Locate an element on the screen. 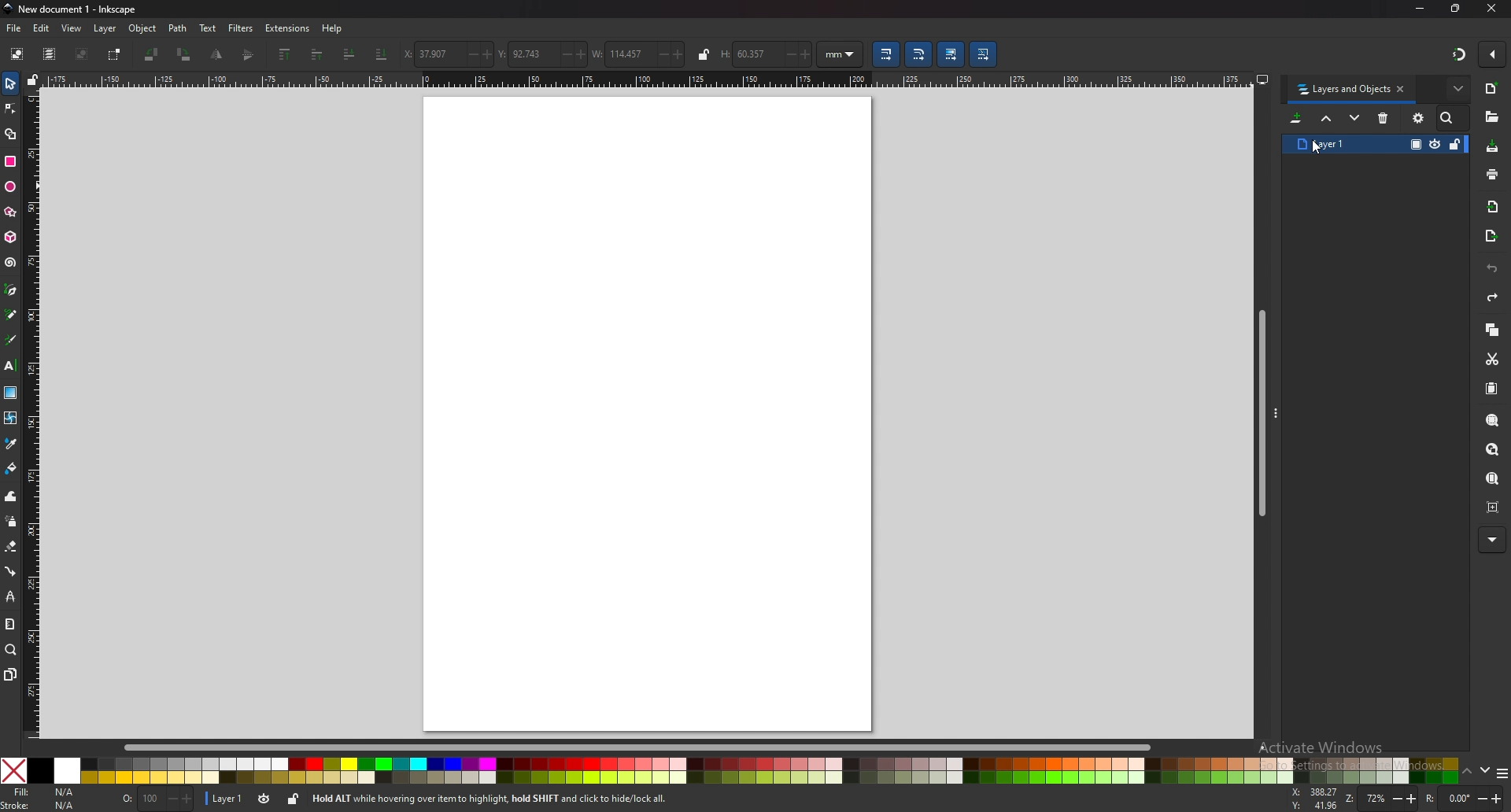 The height and width of the screenshot is (812, 1511). new is located at coordinates (1492, 88).